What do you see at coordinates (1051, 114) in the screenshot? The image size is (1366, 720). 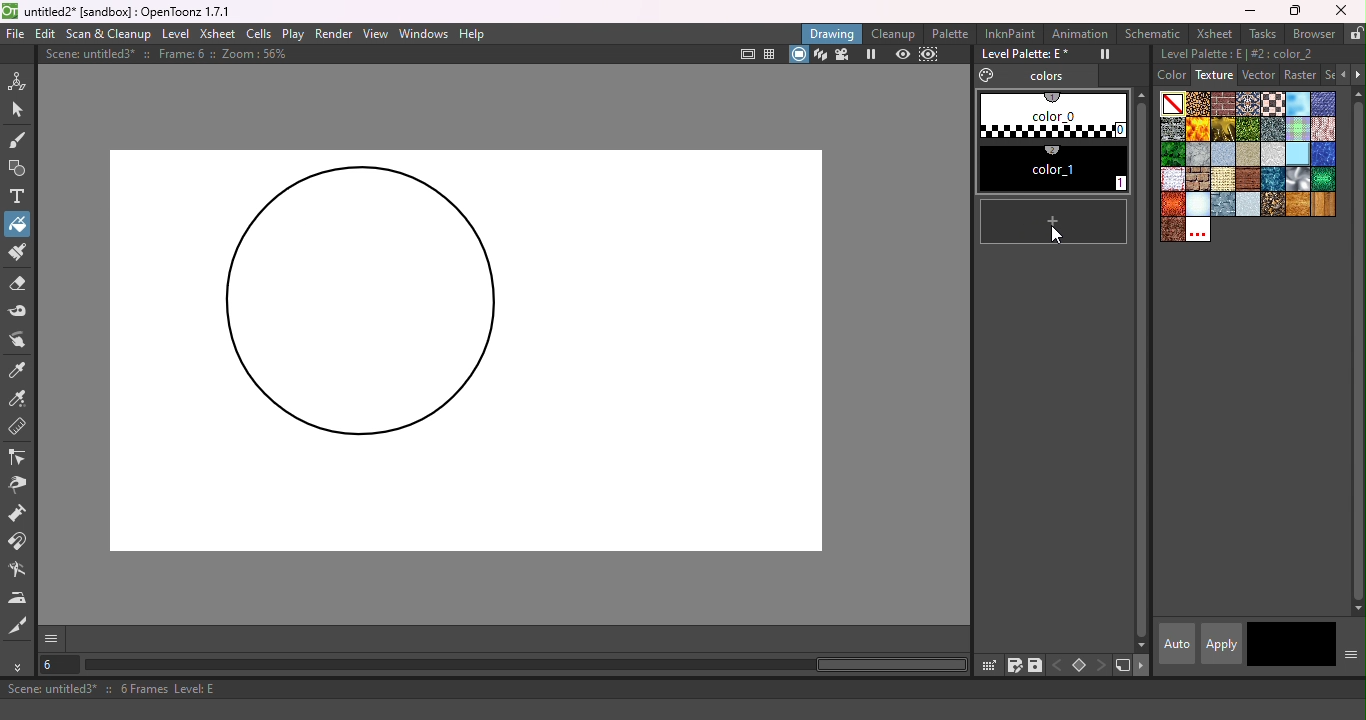 I see `#0 color_0 (1)` at bounding box center [1051, 114].